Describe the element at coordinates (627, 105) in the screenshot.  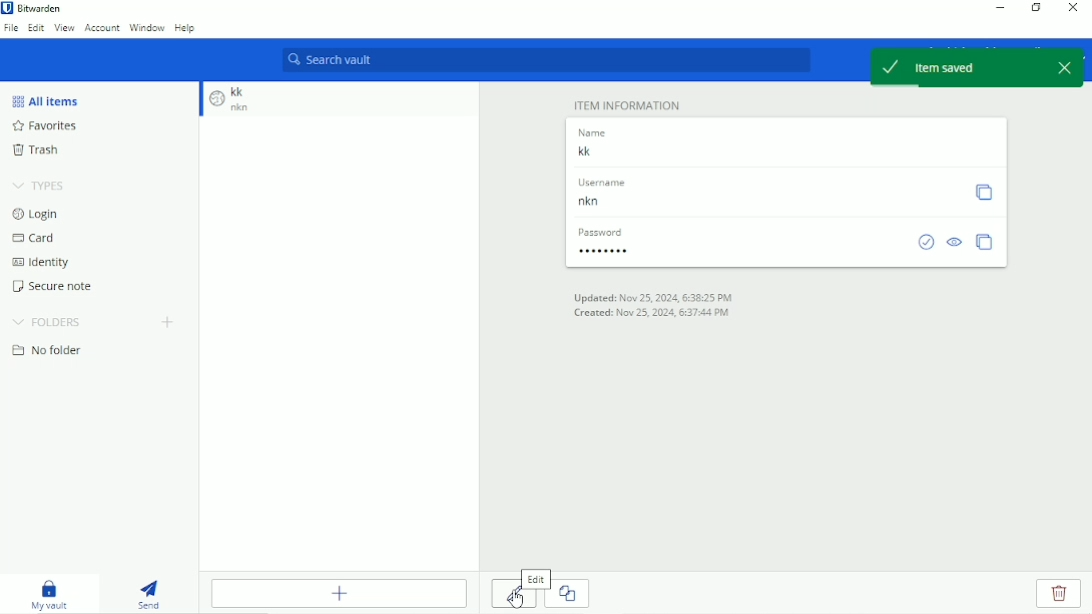
I see `Item Information` at that location.